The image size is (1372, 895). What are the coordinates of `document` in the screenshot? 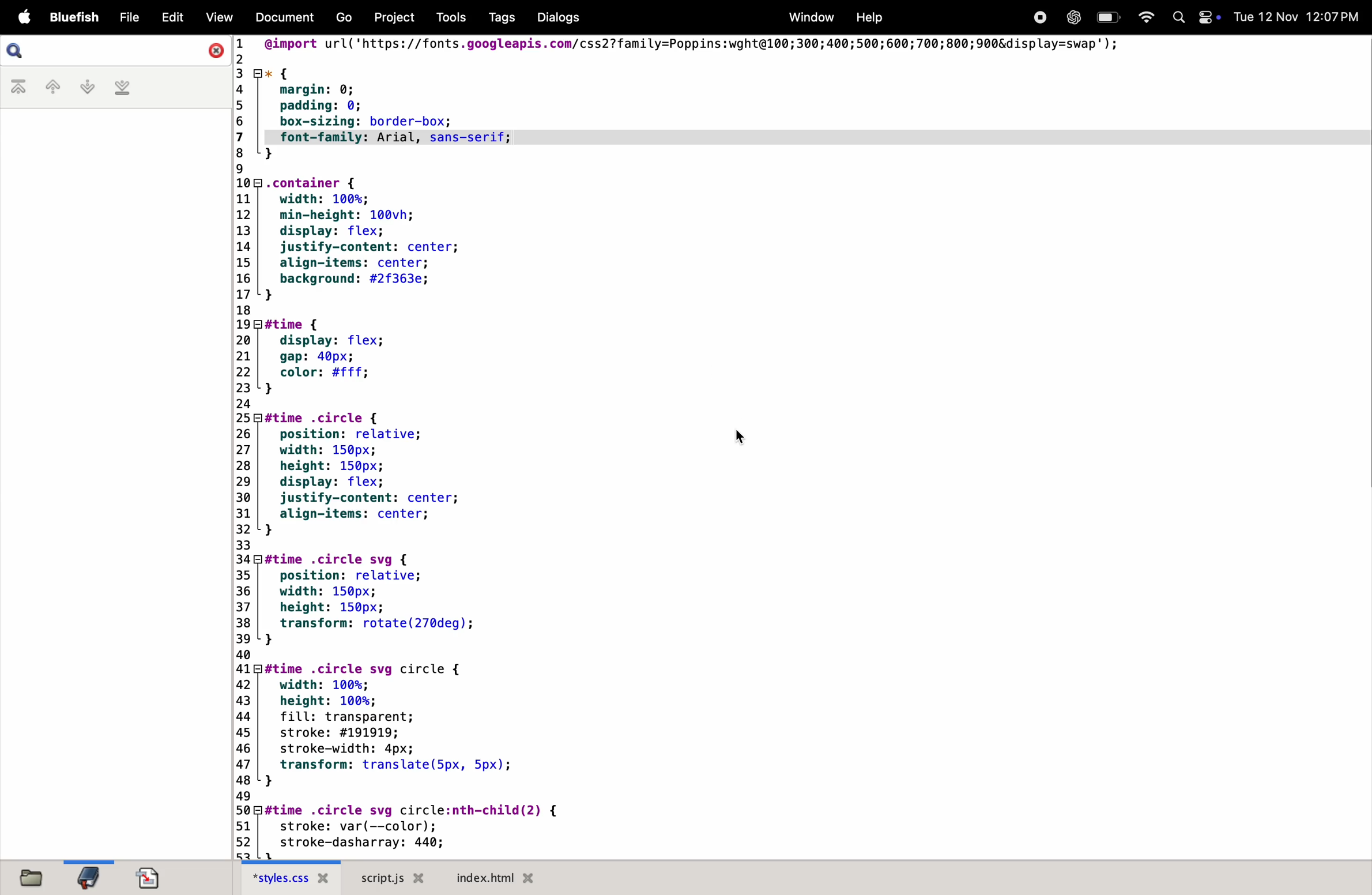 It's located at (284, 19).